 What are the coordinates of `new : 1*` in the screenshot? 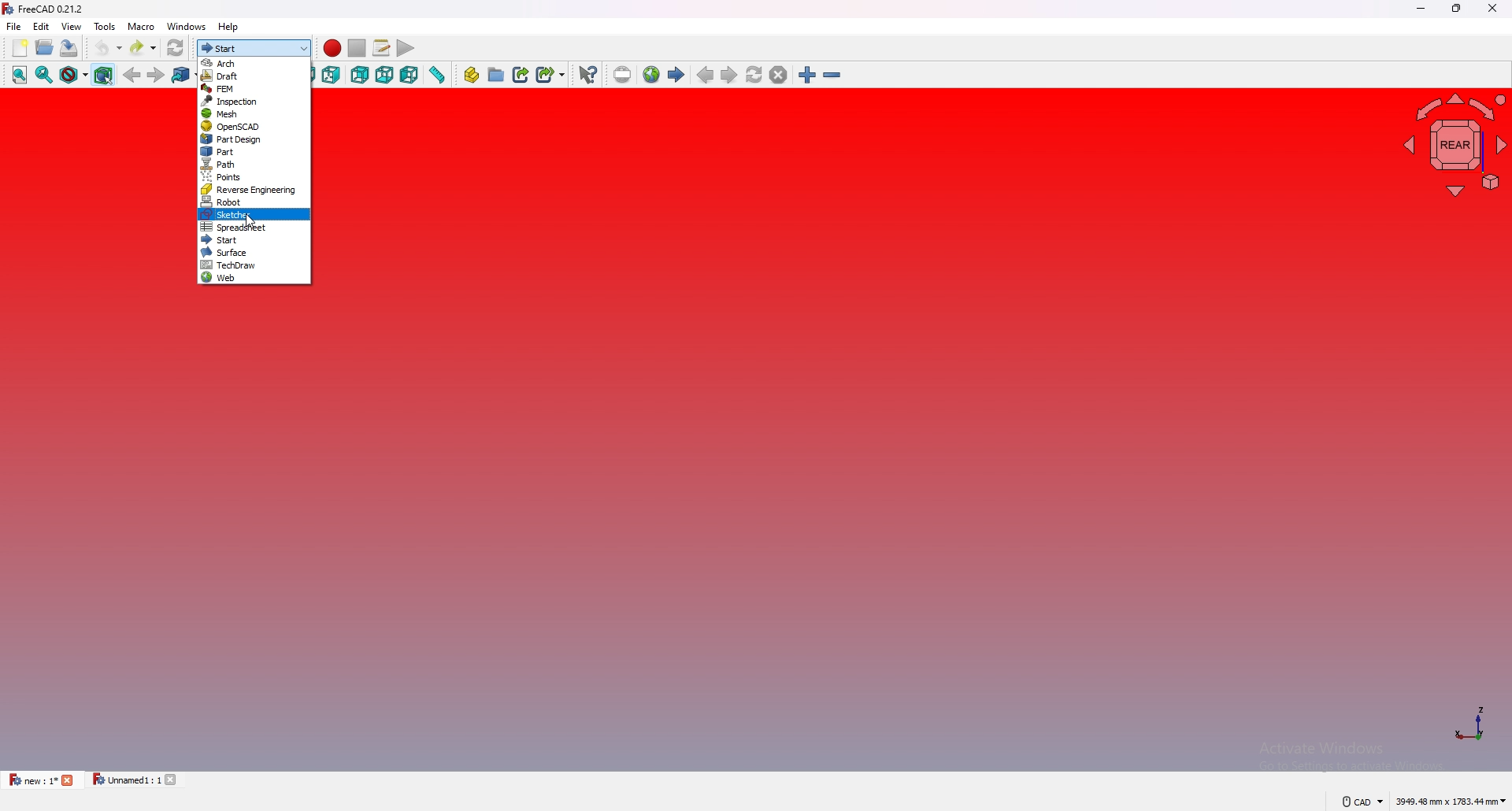 It's located at (32, 780).